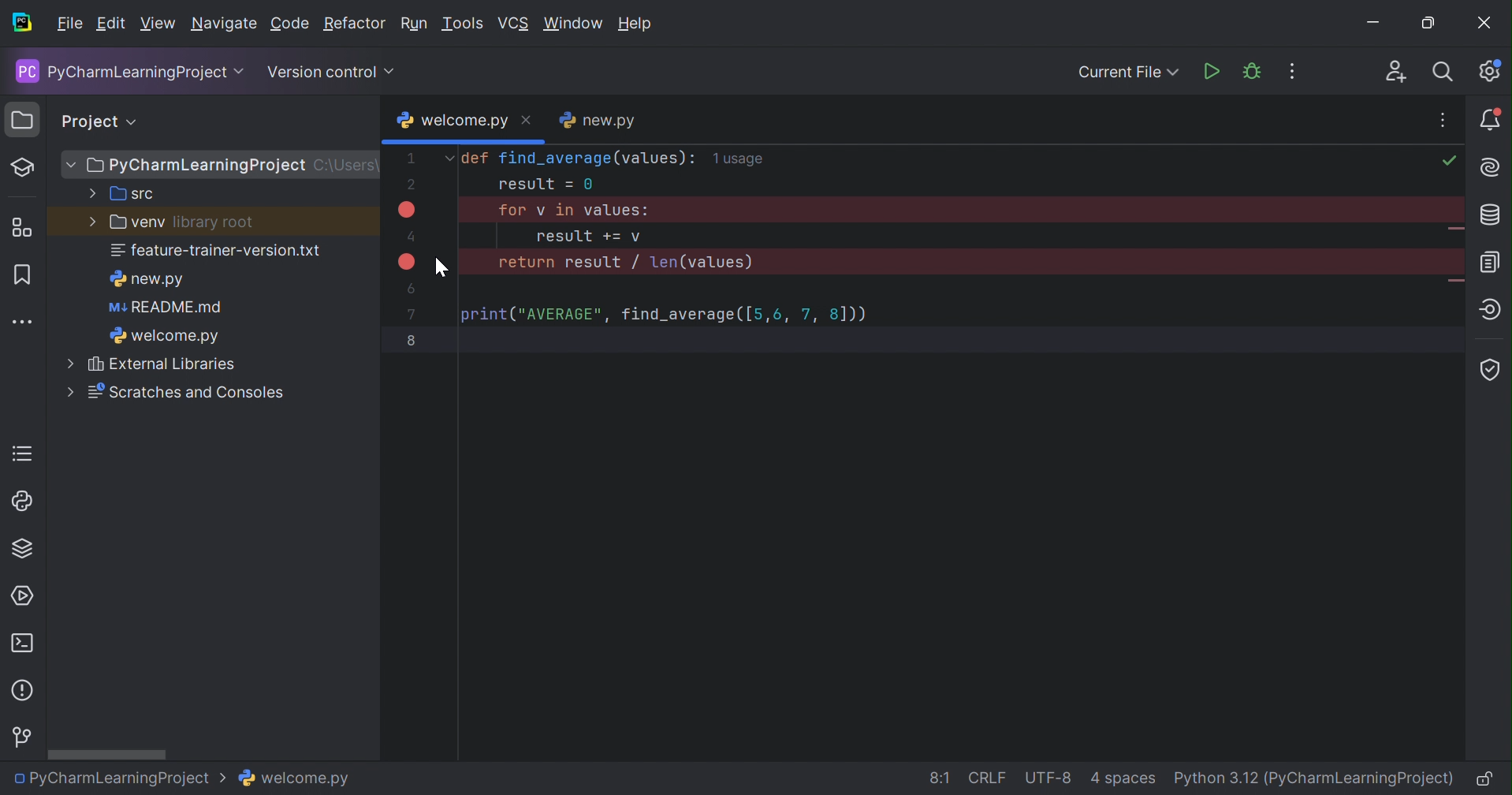 The width and height of the screenshot is (1512, 795). I want to click on Terminal, so click(23, 639).